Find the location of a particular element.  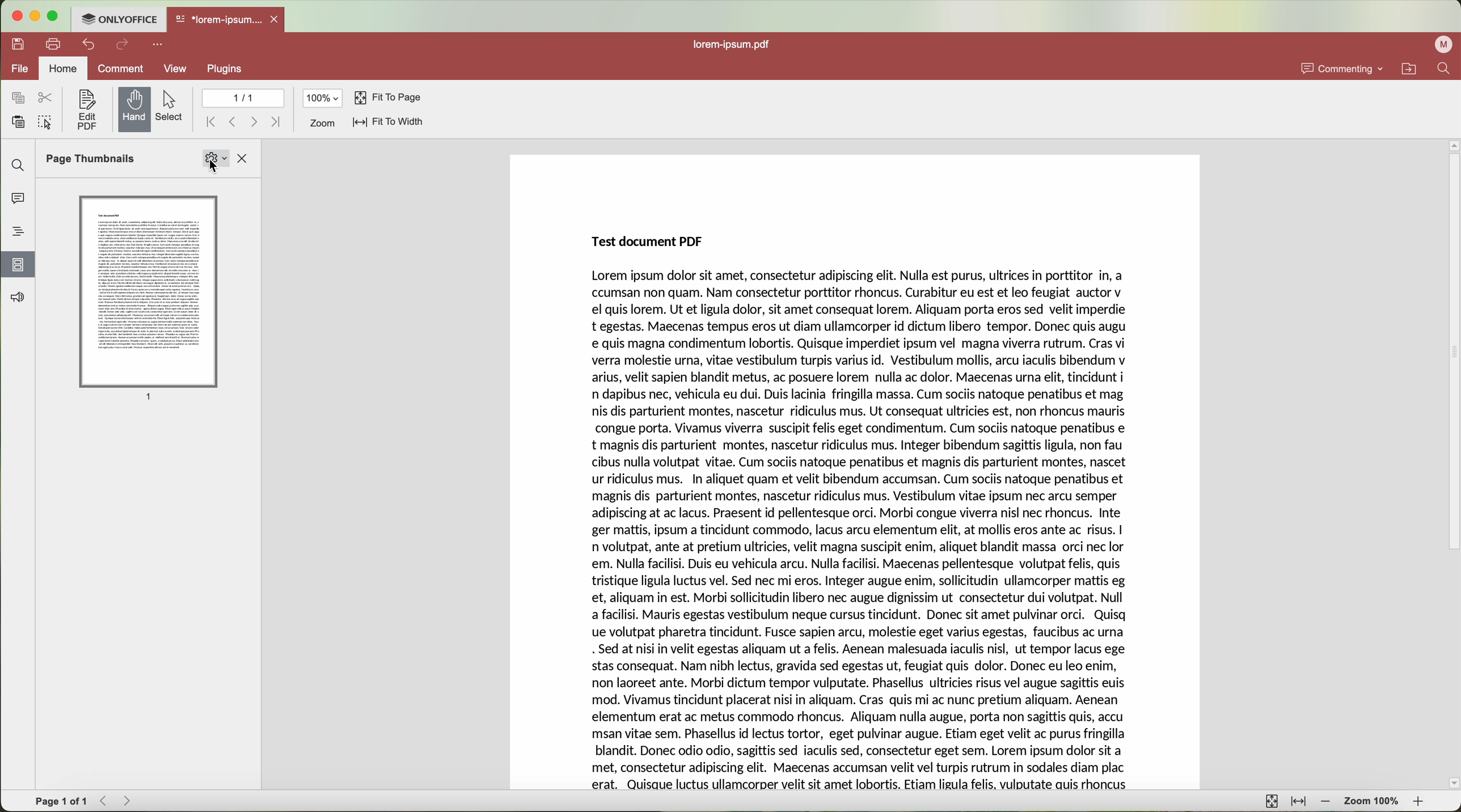

select is located at coordinates (172, 107).